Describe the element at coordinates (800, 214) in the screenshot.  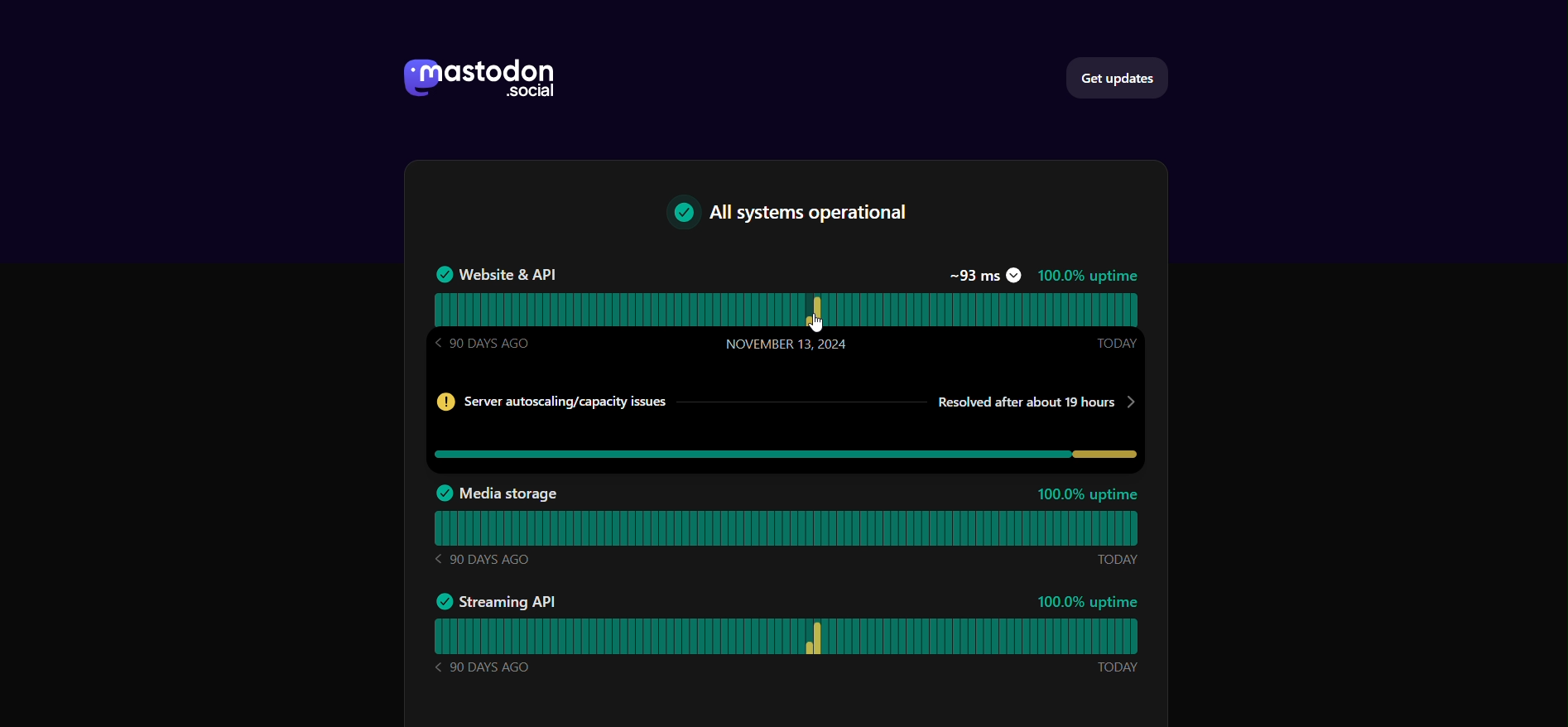
I see `text` at that location.